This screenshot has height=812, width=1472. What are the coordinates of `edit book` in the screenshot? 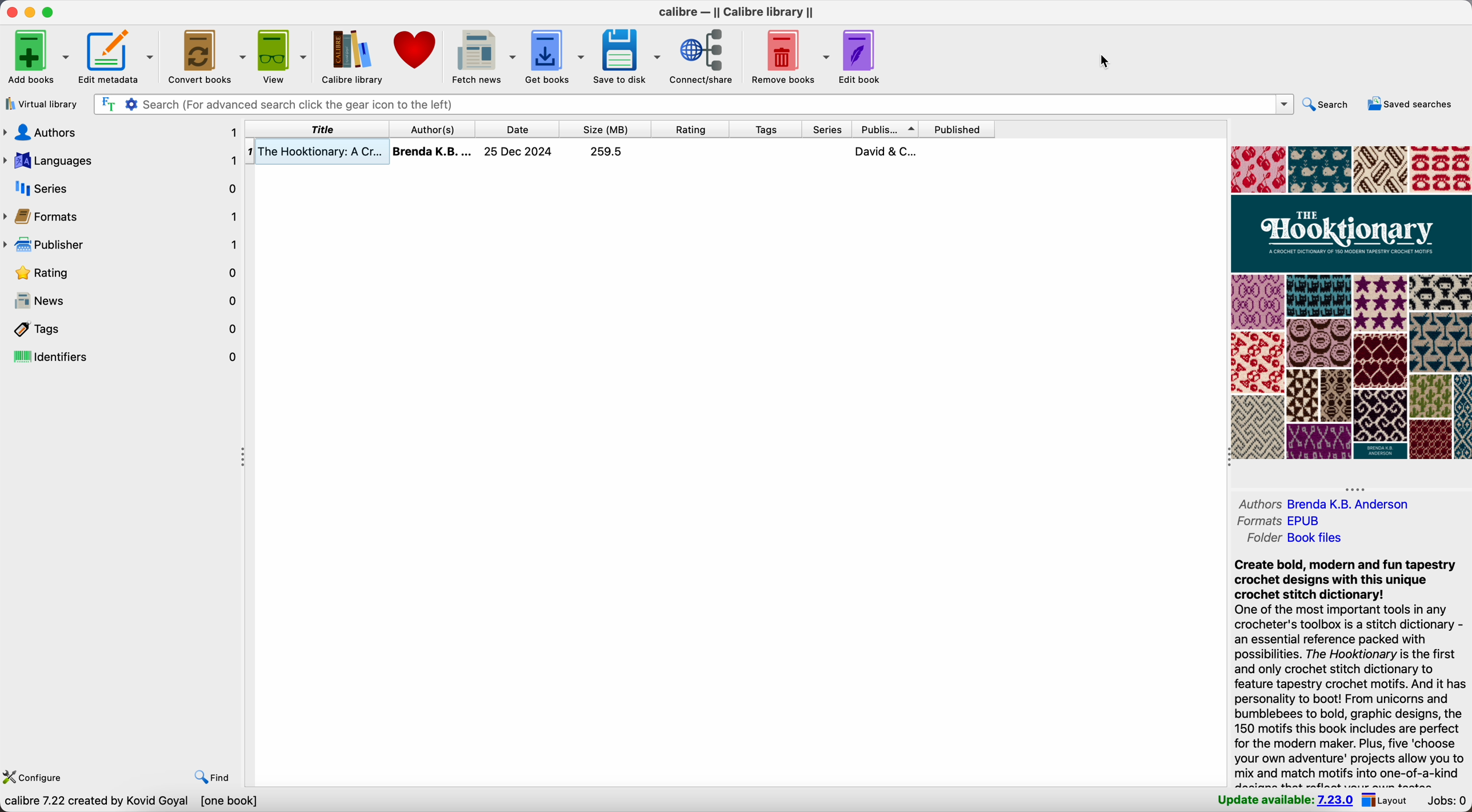 It's located at (858, 58).